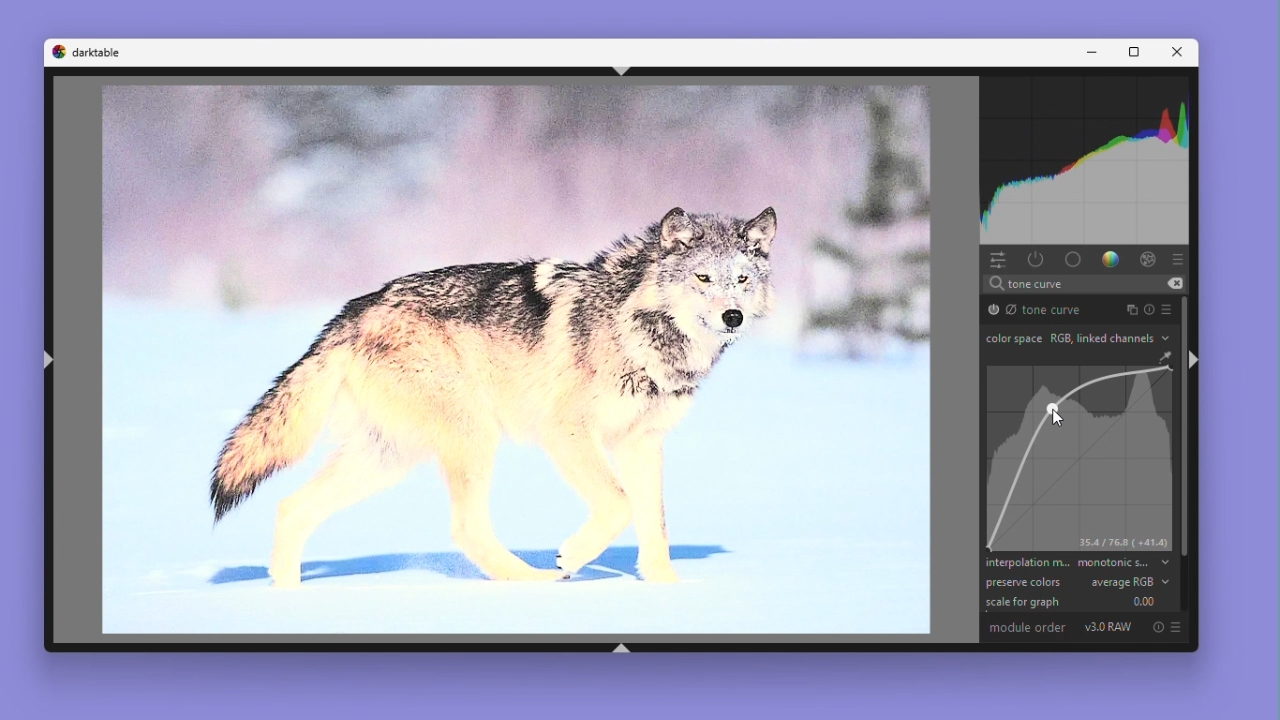 The image size is (1280, 720). I want to click on shift+ctrl+t, so click(619, 71).